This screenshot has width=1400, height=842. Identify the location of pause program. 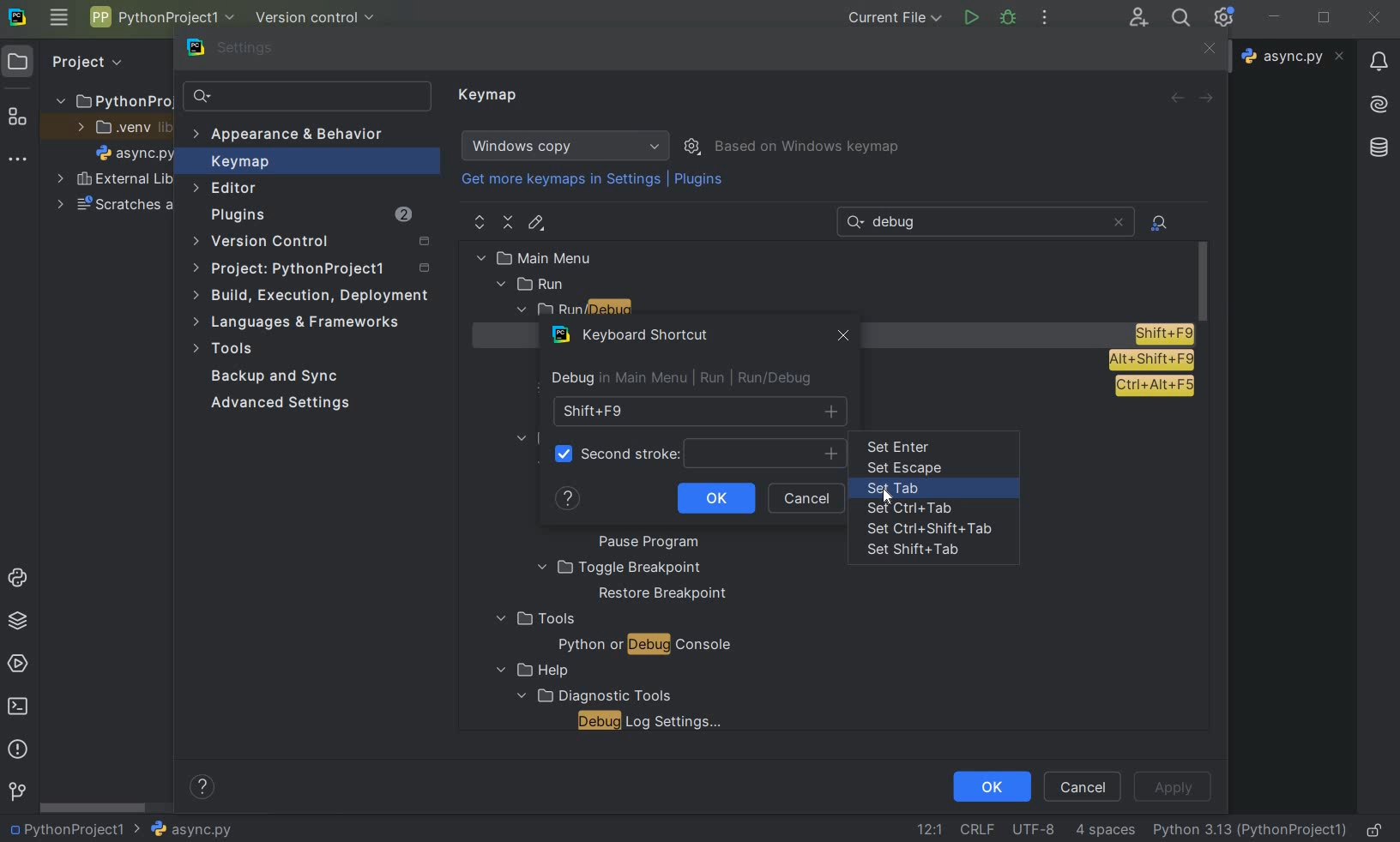
(643, 543).